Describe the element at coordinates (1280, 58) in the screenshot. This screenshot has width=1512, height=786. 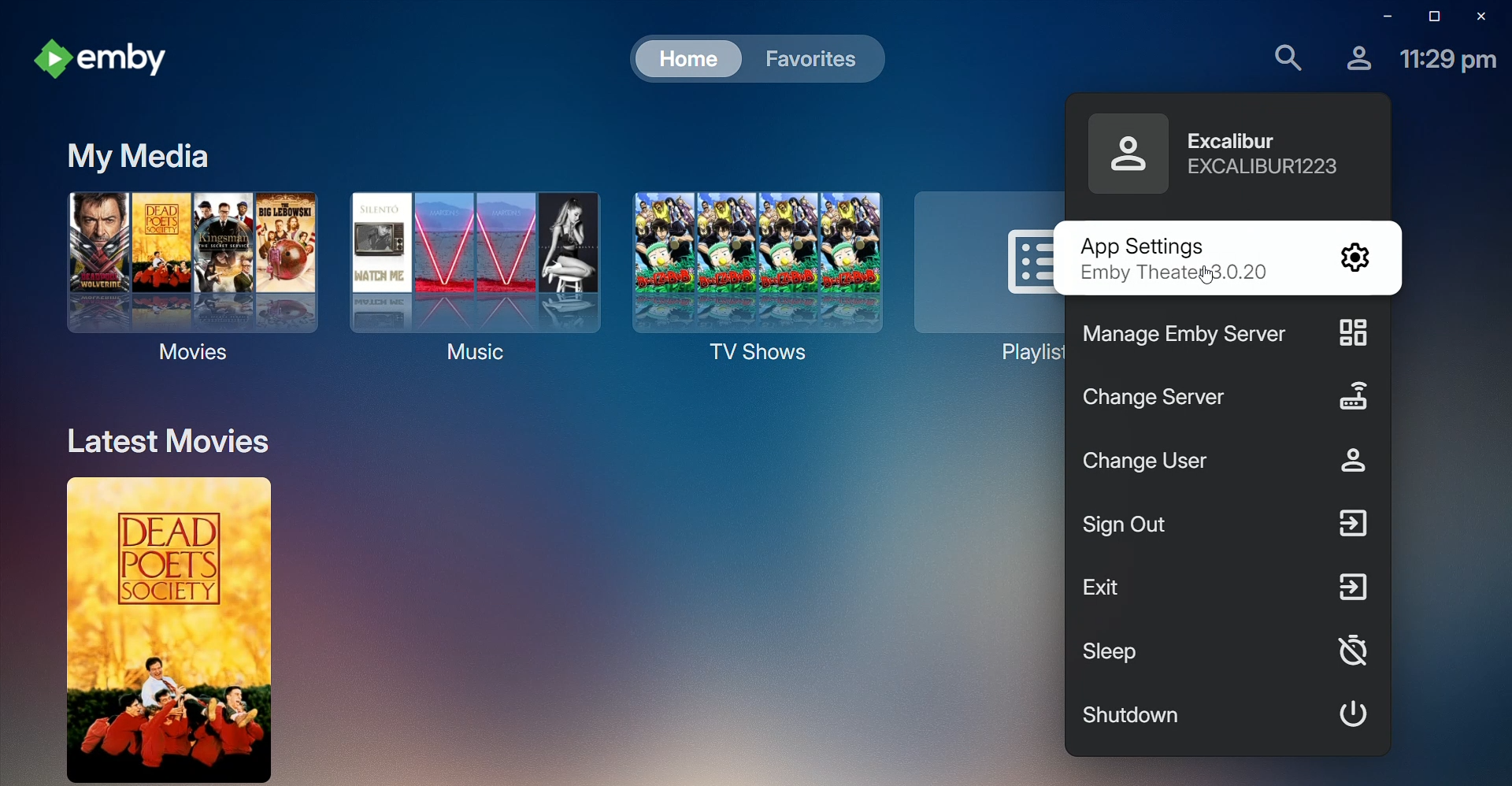
I see `Find` at that location.